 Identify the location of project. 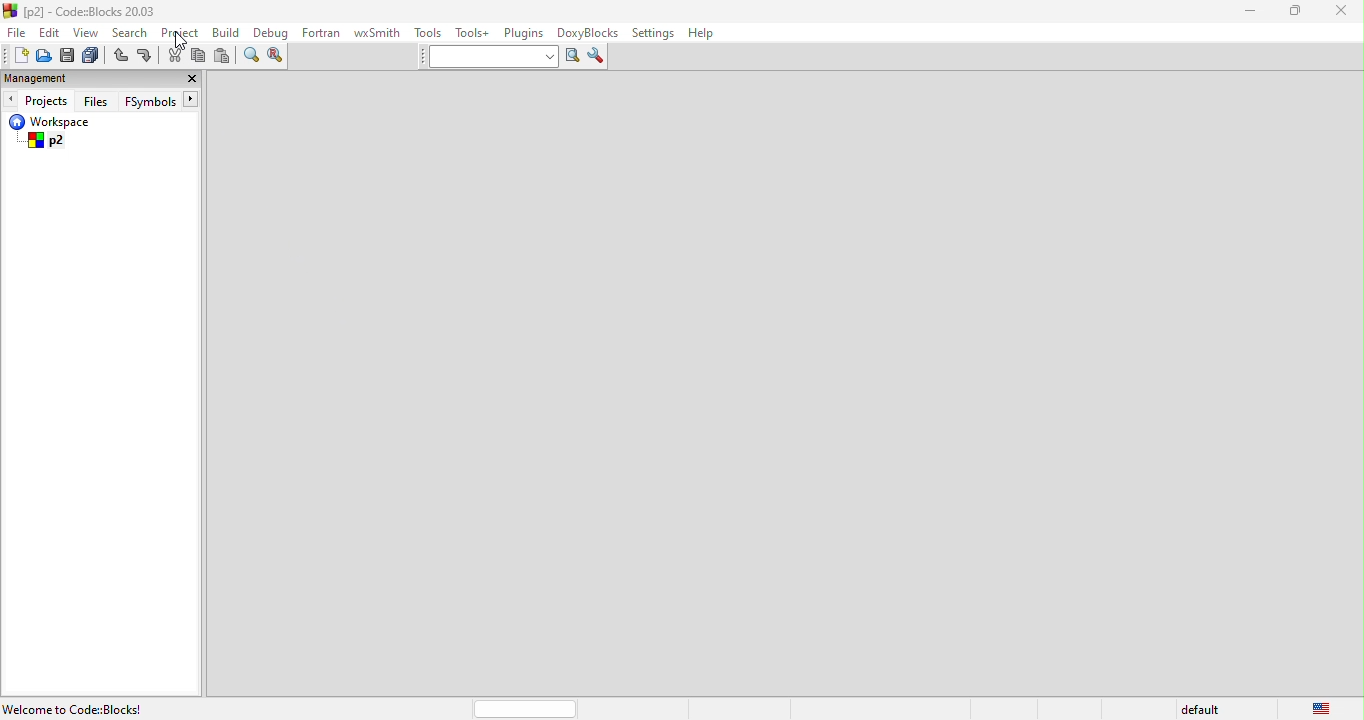
(182, 33).